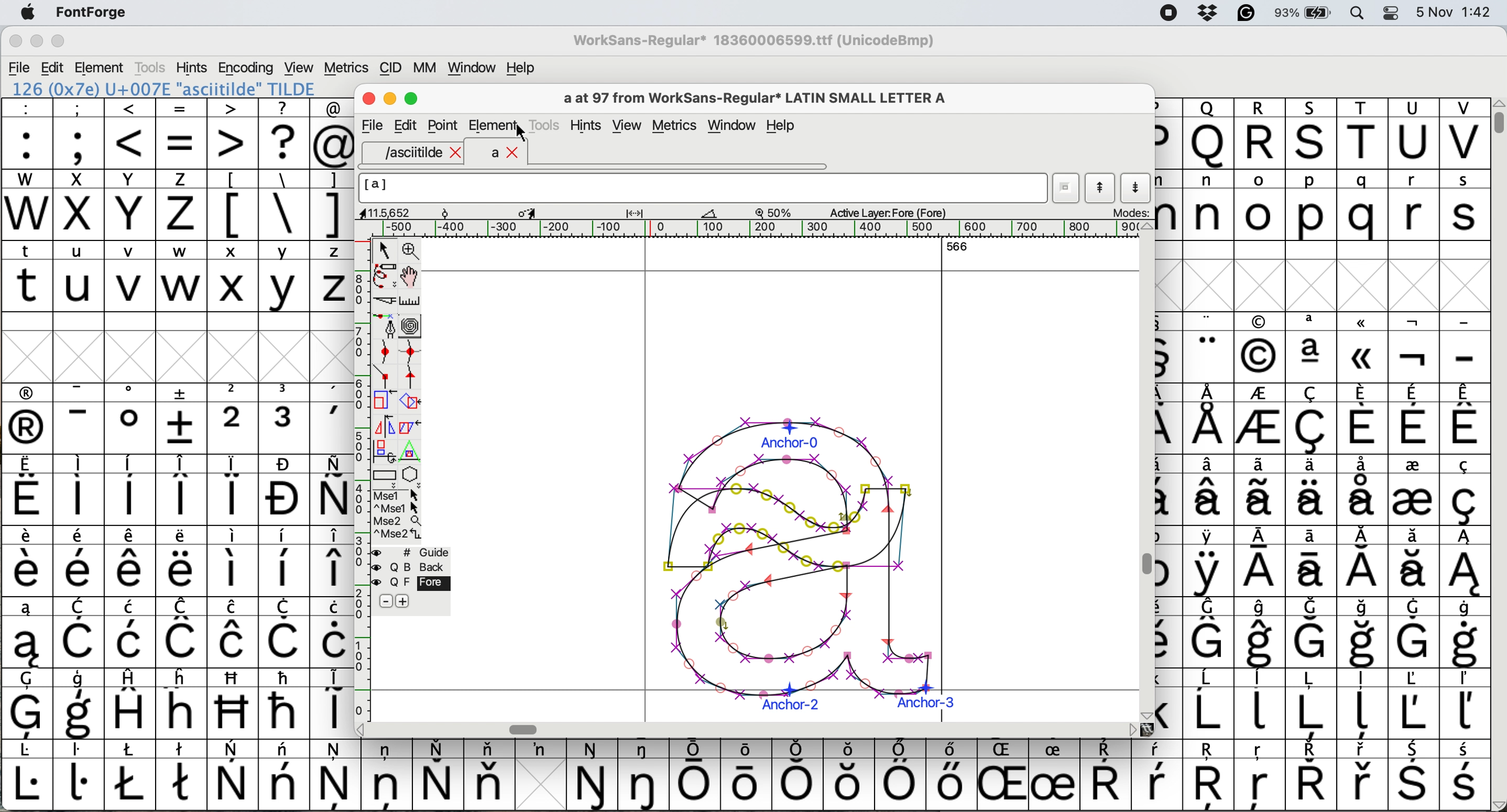  I want to click on , so click(850, 775).